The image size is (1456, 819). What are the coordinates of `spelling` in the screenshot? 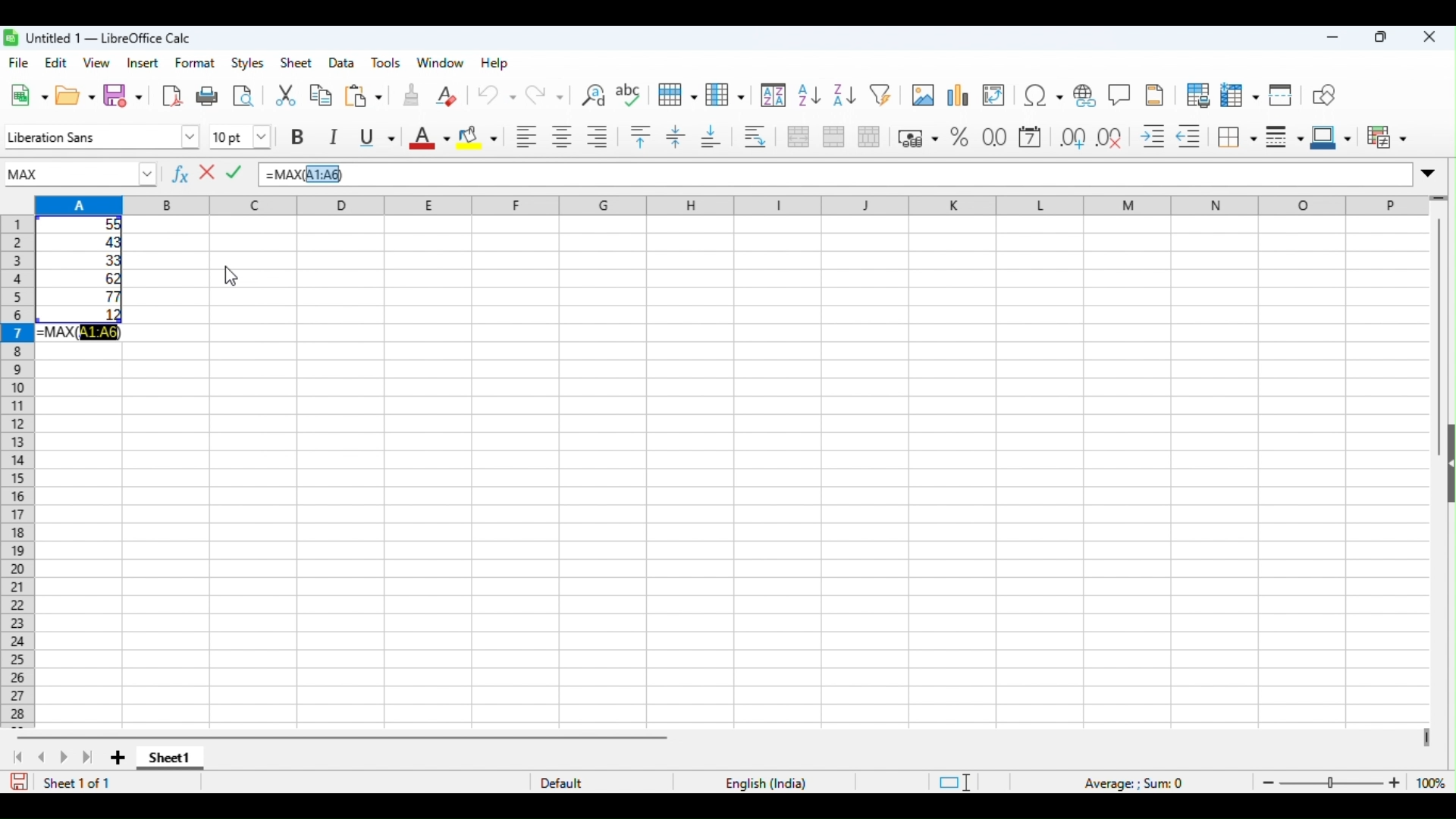 It's located at (631, 94).